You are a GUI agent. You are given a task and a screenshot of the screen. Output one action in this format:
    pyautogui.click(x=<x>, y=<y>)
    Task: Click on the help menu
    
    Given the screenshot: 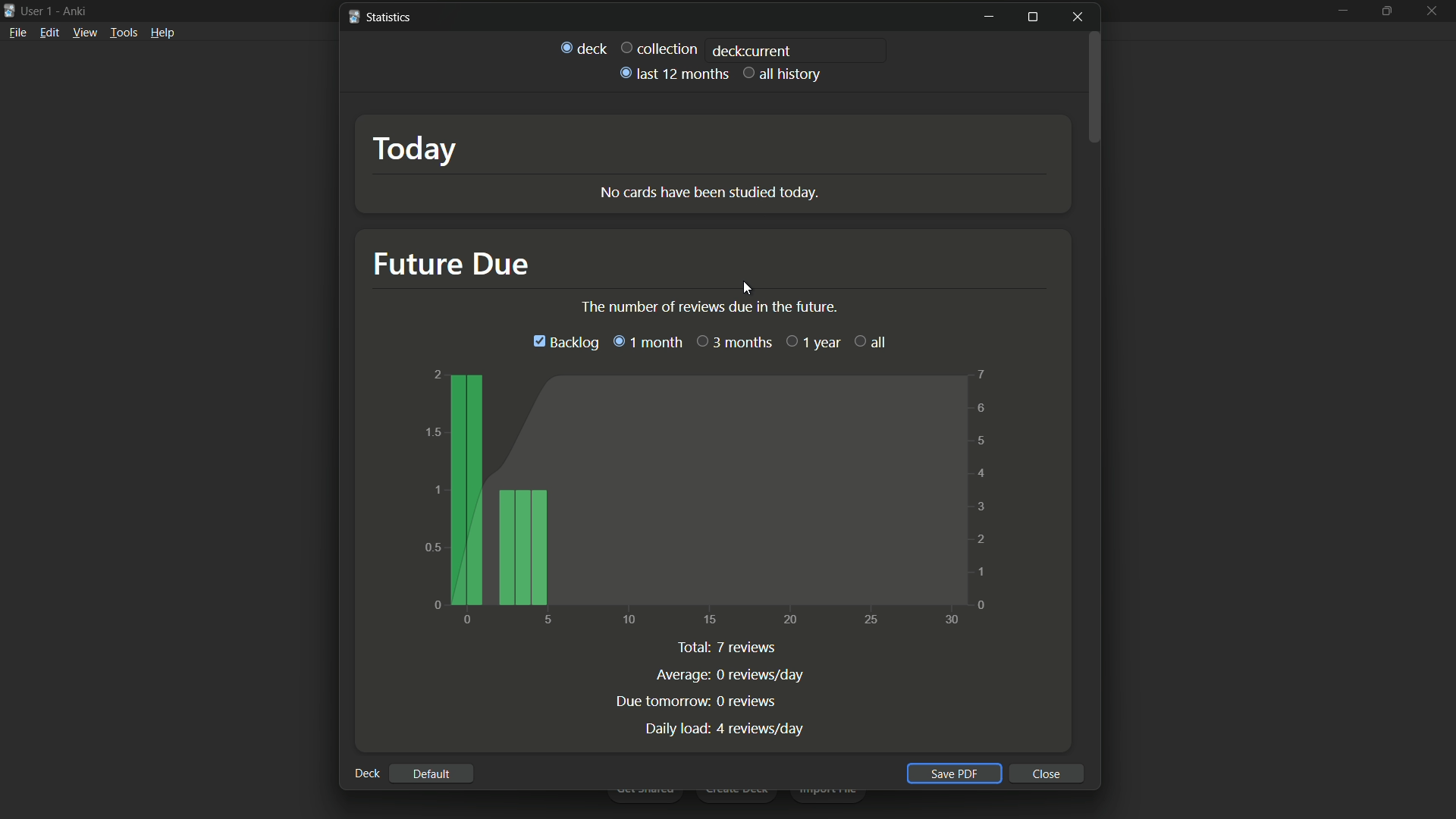 What is the action you would take?
    pyautogui.click(x=164, y=33)
    